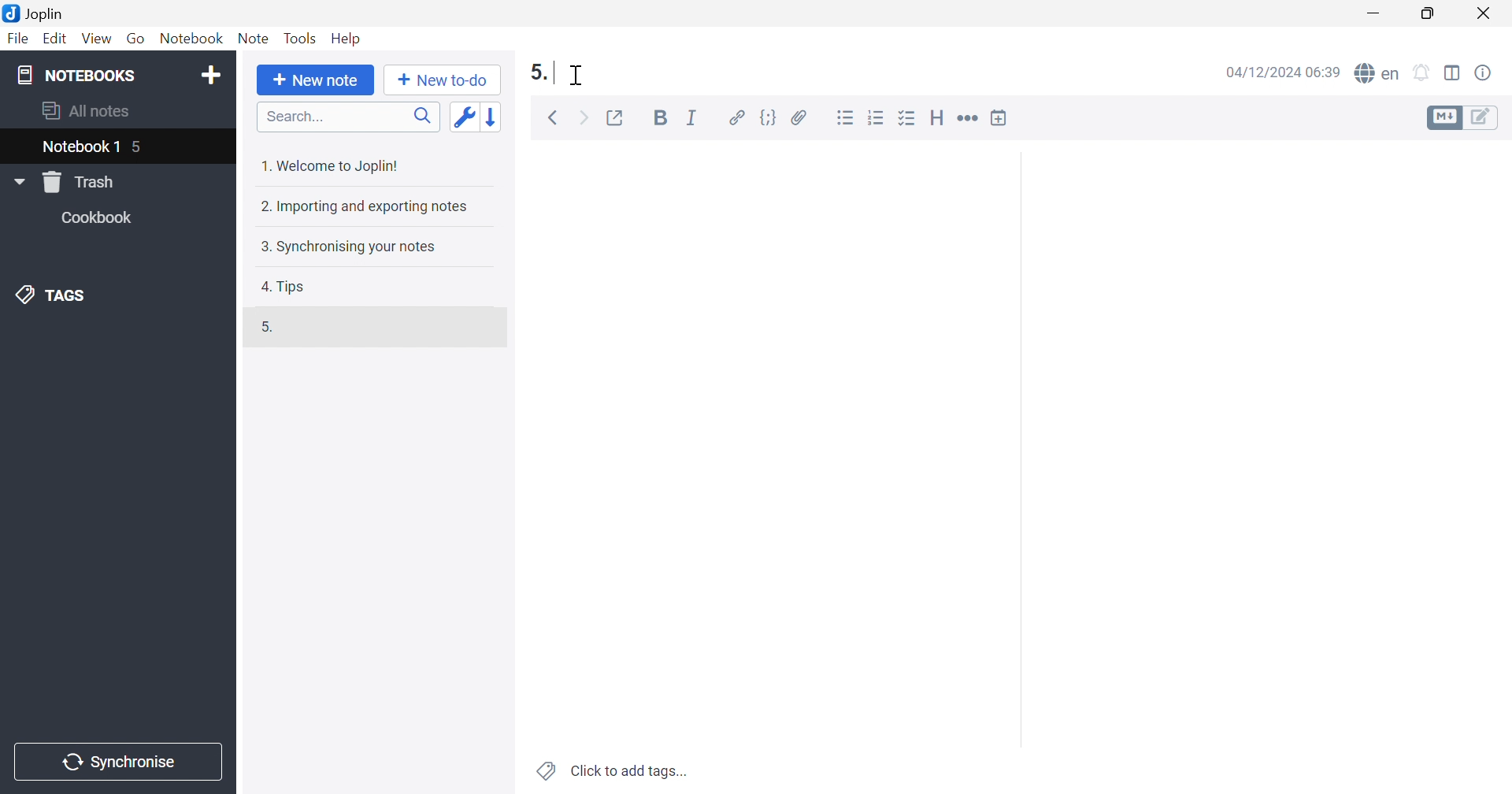 The width and height of the screenshot is (1512, 794). Describe the element at coordinates (79, 183) in the screenshot. I see `Trash` at that location.